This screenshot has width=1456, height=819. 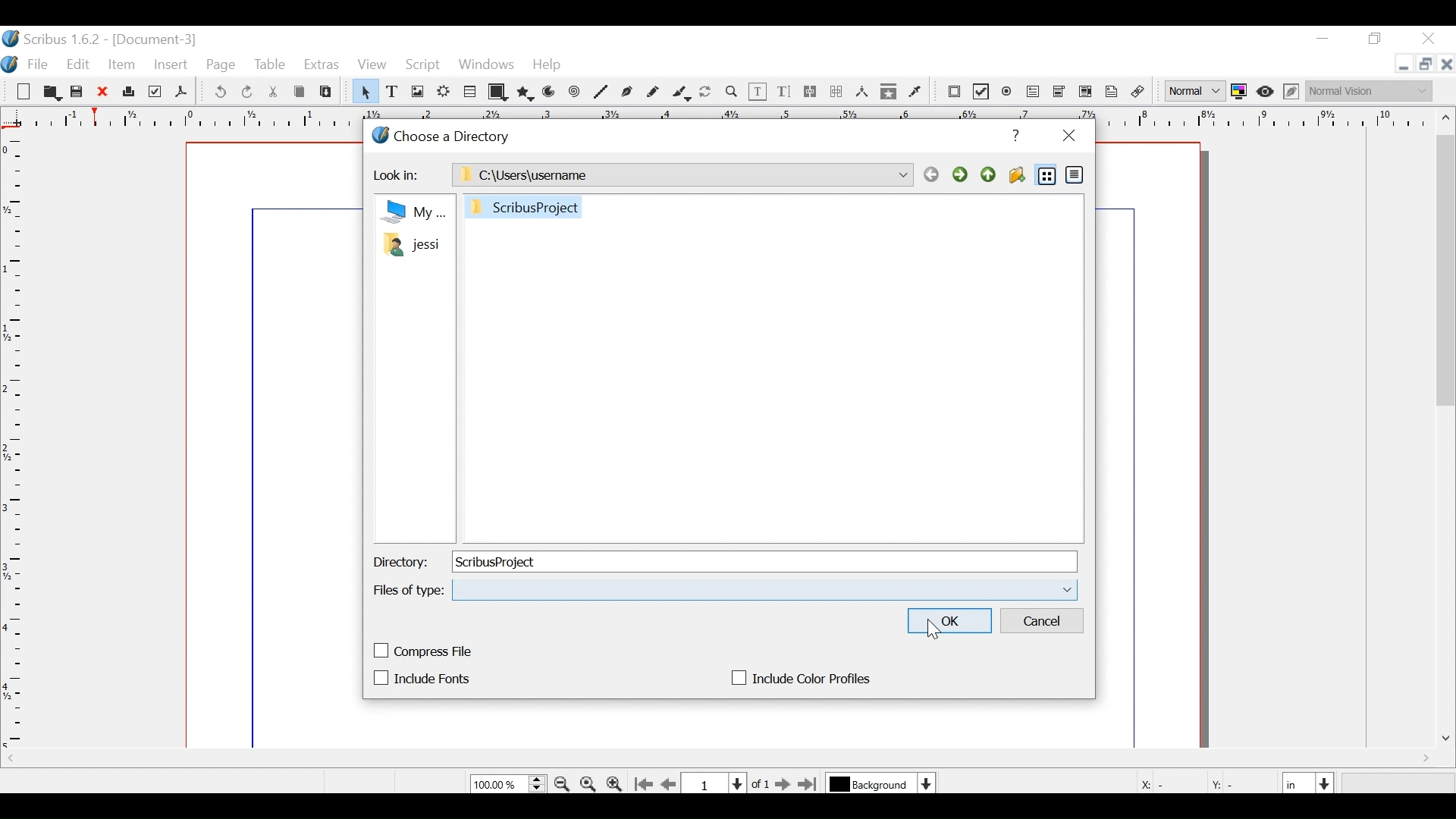 What do you see at coordinates (1325, 42) in the screenshot?
I see `minimize` at bounding box center [1325, 42].